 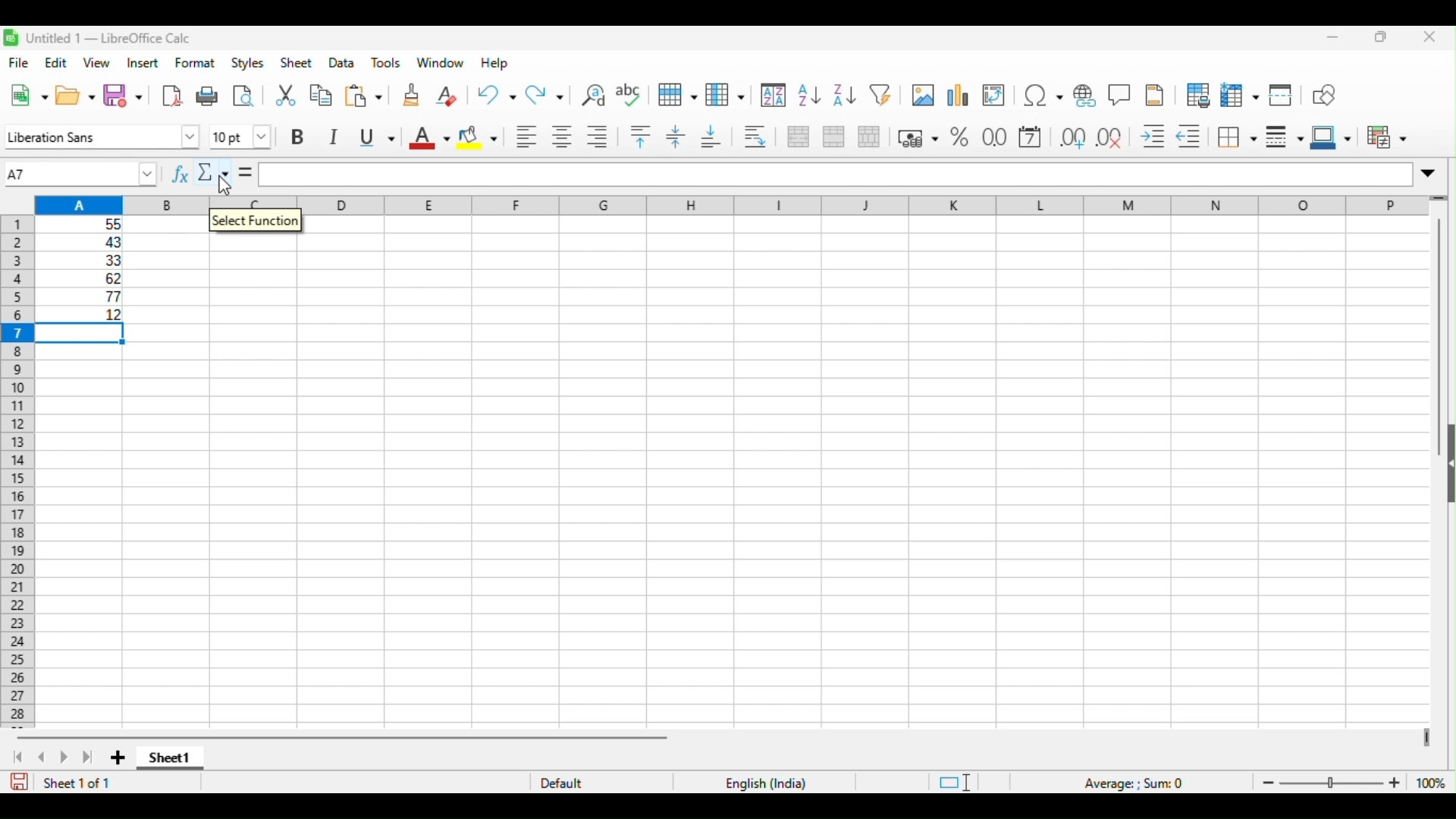 I want to click on toggle print preview, so click(x=244, y=96).